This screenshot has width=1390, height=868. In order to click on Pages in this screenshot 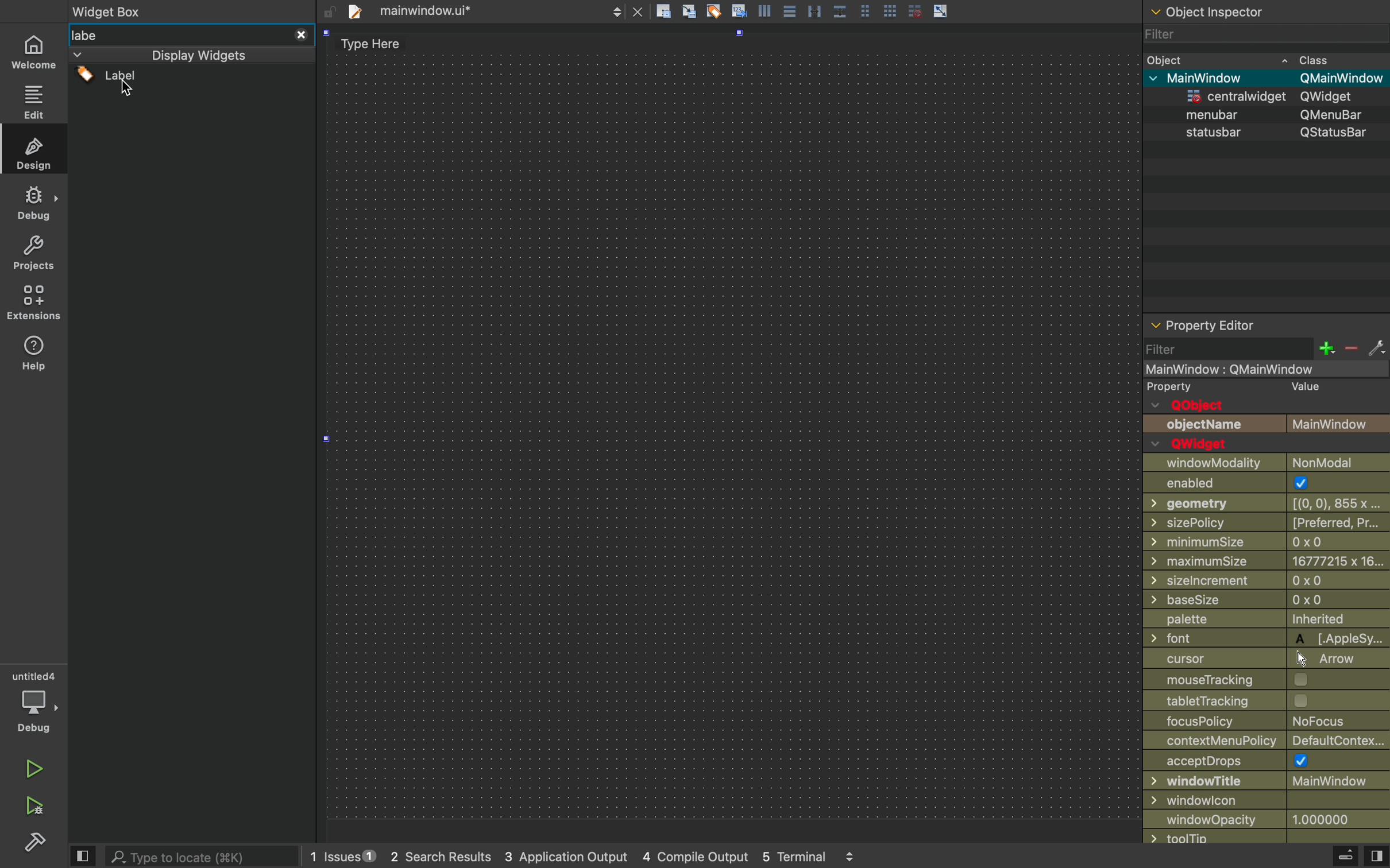, I will do `click(868, 10)`.